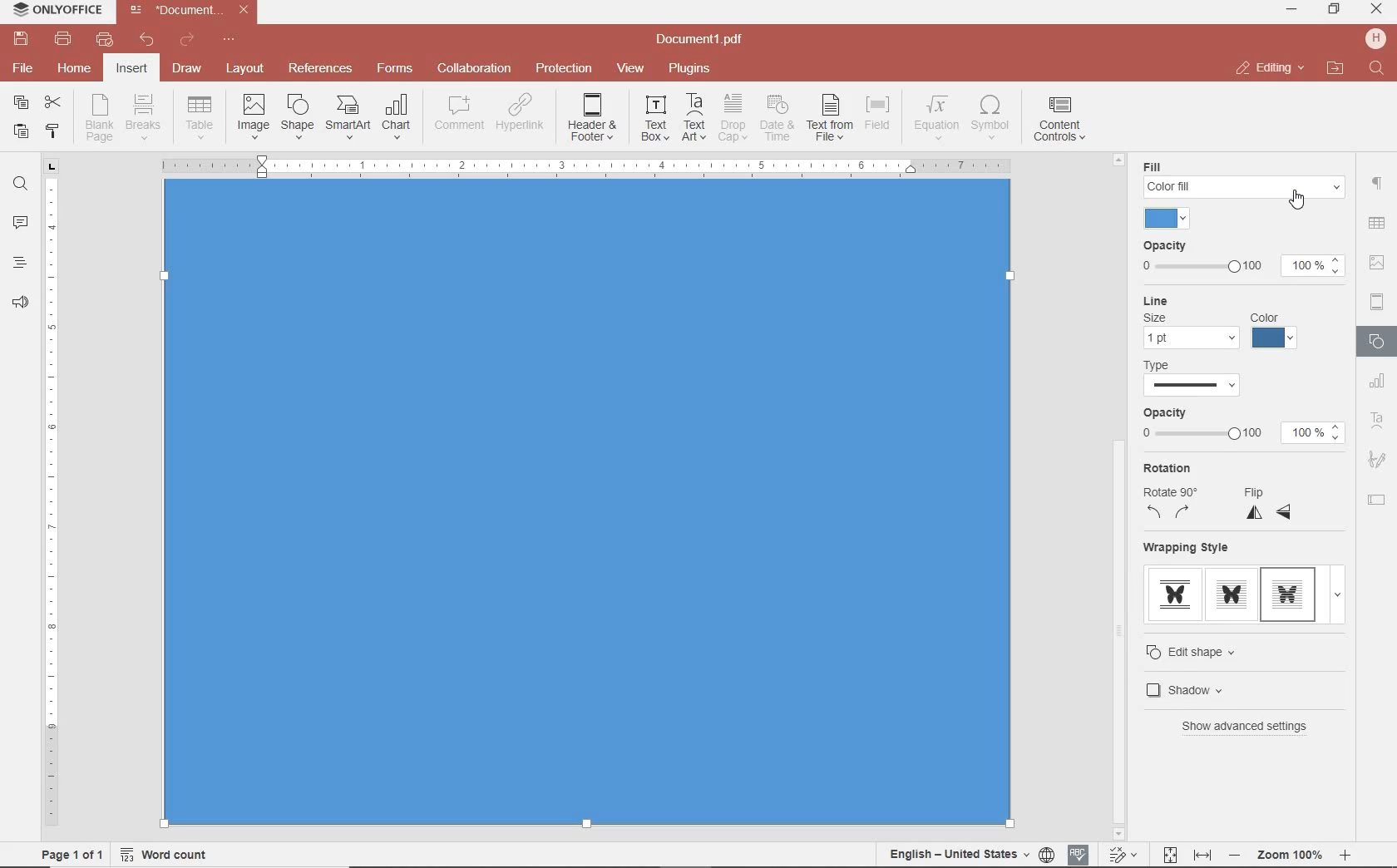 The height and width of the screenshot is (868, 1397). I want to click on track change, so click(1121, 856).